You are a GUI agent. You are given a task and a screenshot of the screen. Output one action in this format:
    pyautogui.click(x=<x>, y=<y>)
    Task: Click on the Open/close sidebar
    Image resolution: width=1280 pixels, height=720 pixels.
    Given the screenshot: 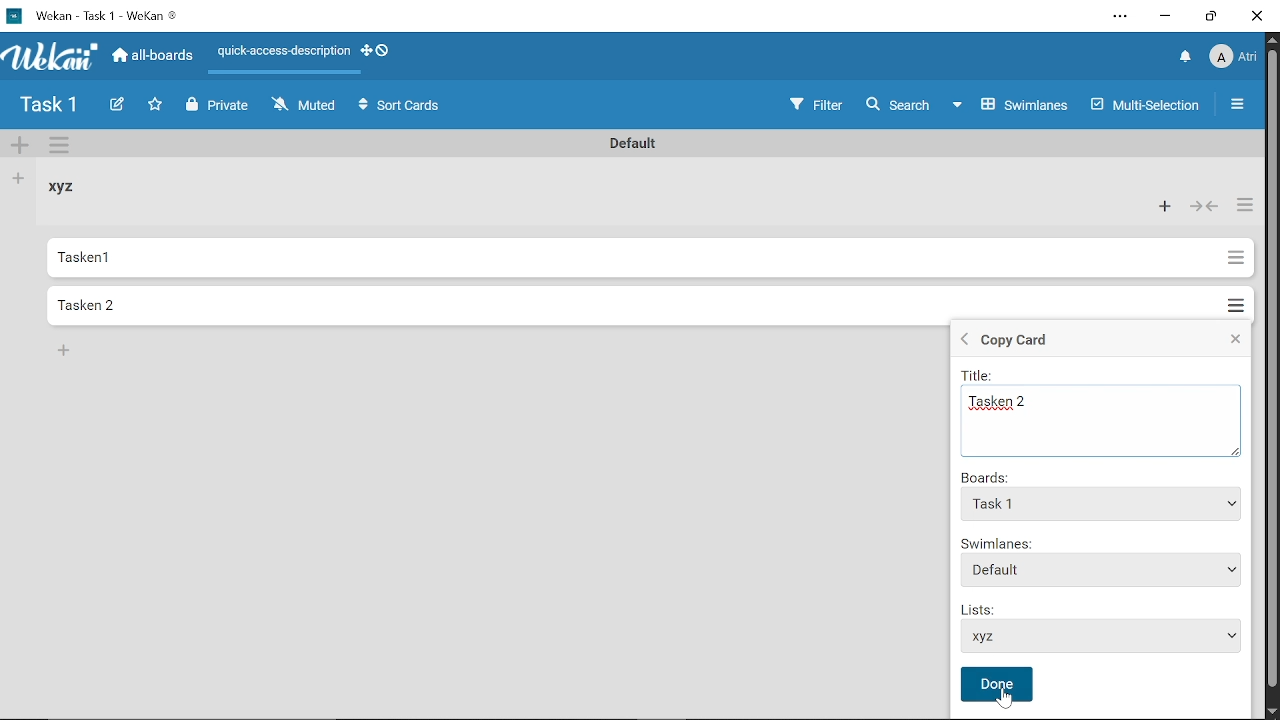 What is the action you would take?
    pyautogui.click(x=1240, y=105)
    